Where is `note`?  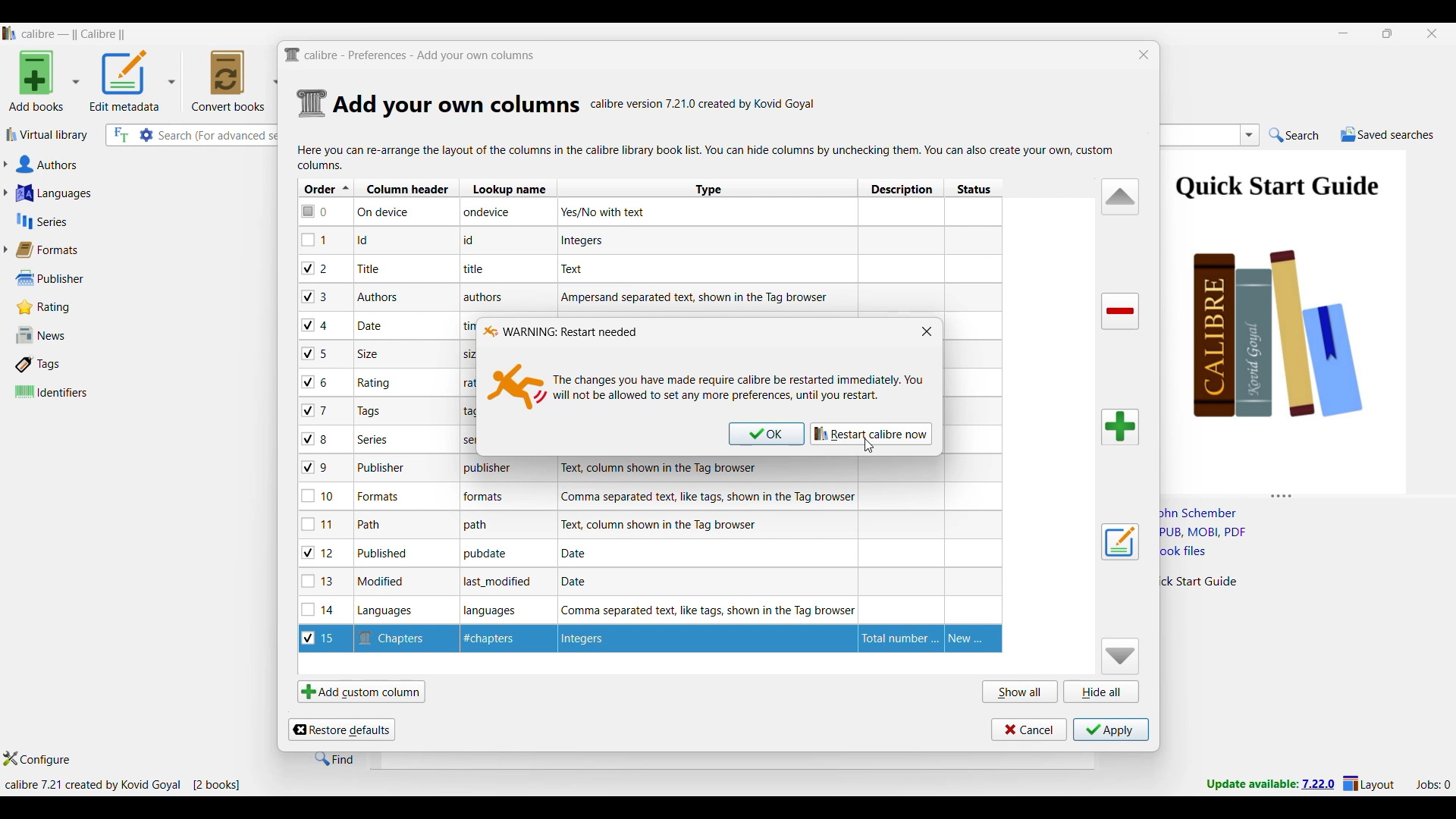 note is located at coordinates (467, 384).